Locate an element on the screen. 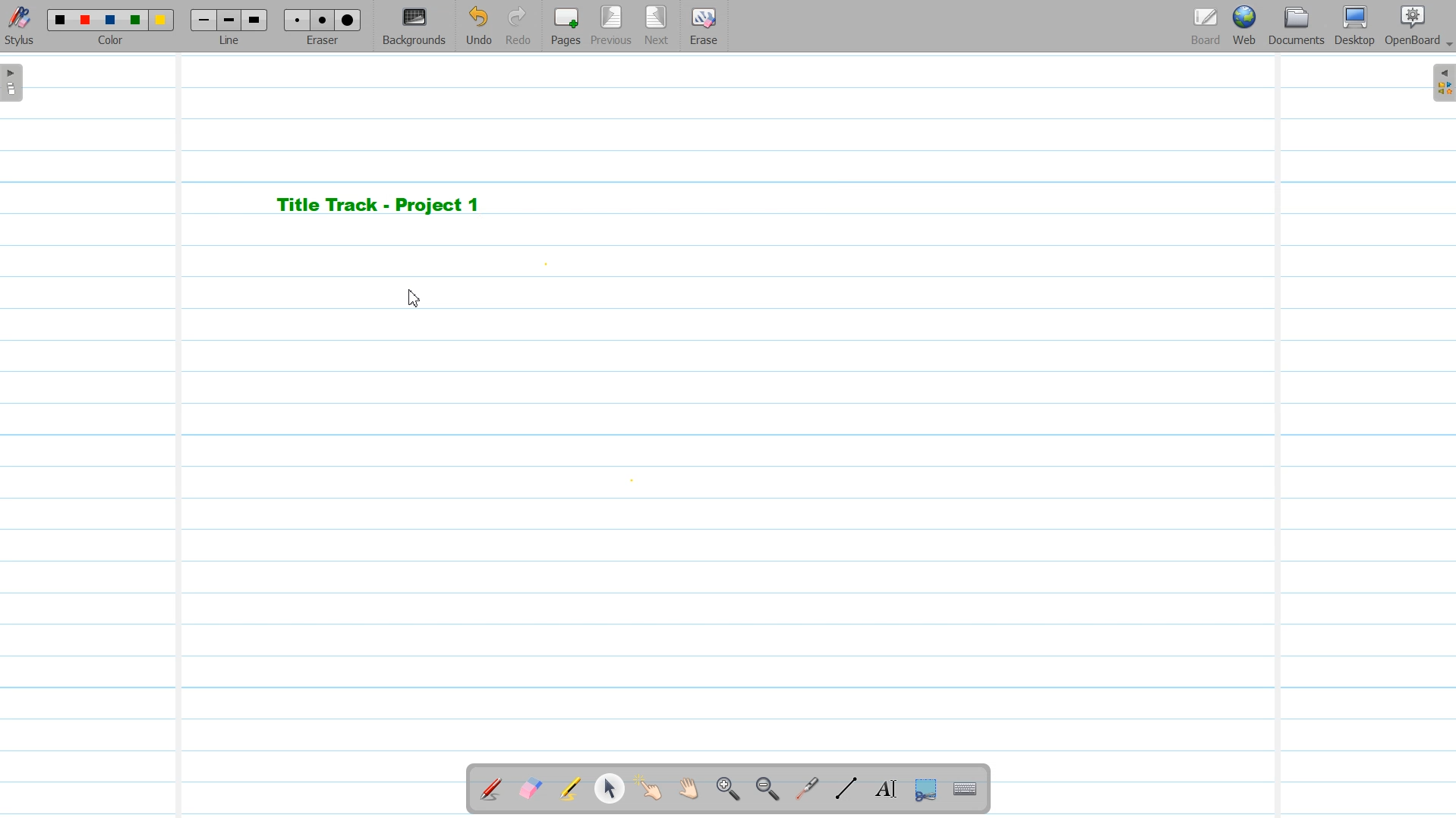 The image size is (1456, 818). Highlight is located at coordinates (570, 791).